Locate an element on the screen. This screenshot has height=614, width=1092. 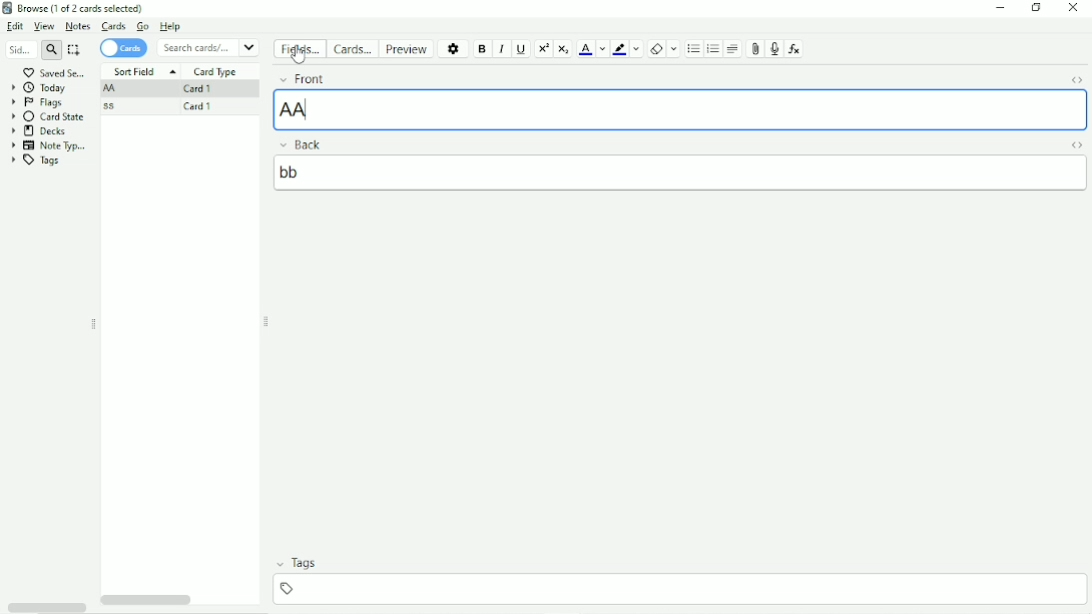
Remove formatting is located at coordinates (655, 48).